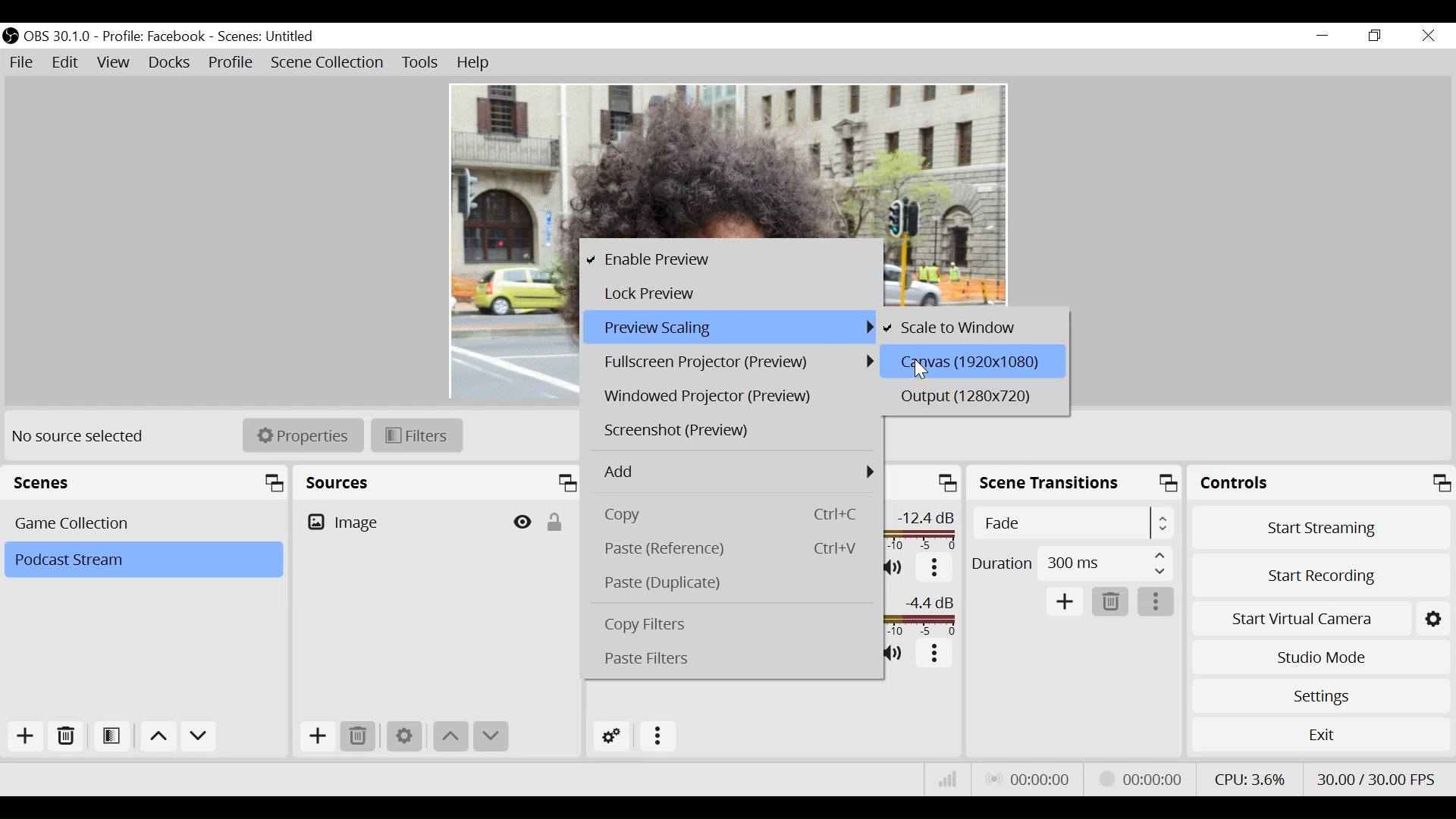 The image size is (1456, 819). I want to click on Duration, so click(1072, 563).